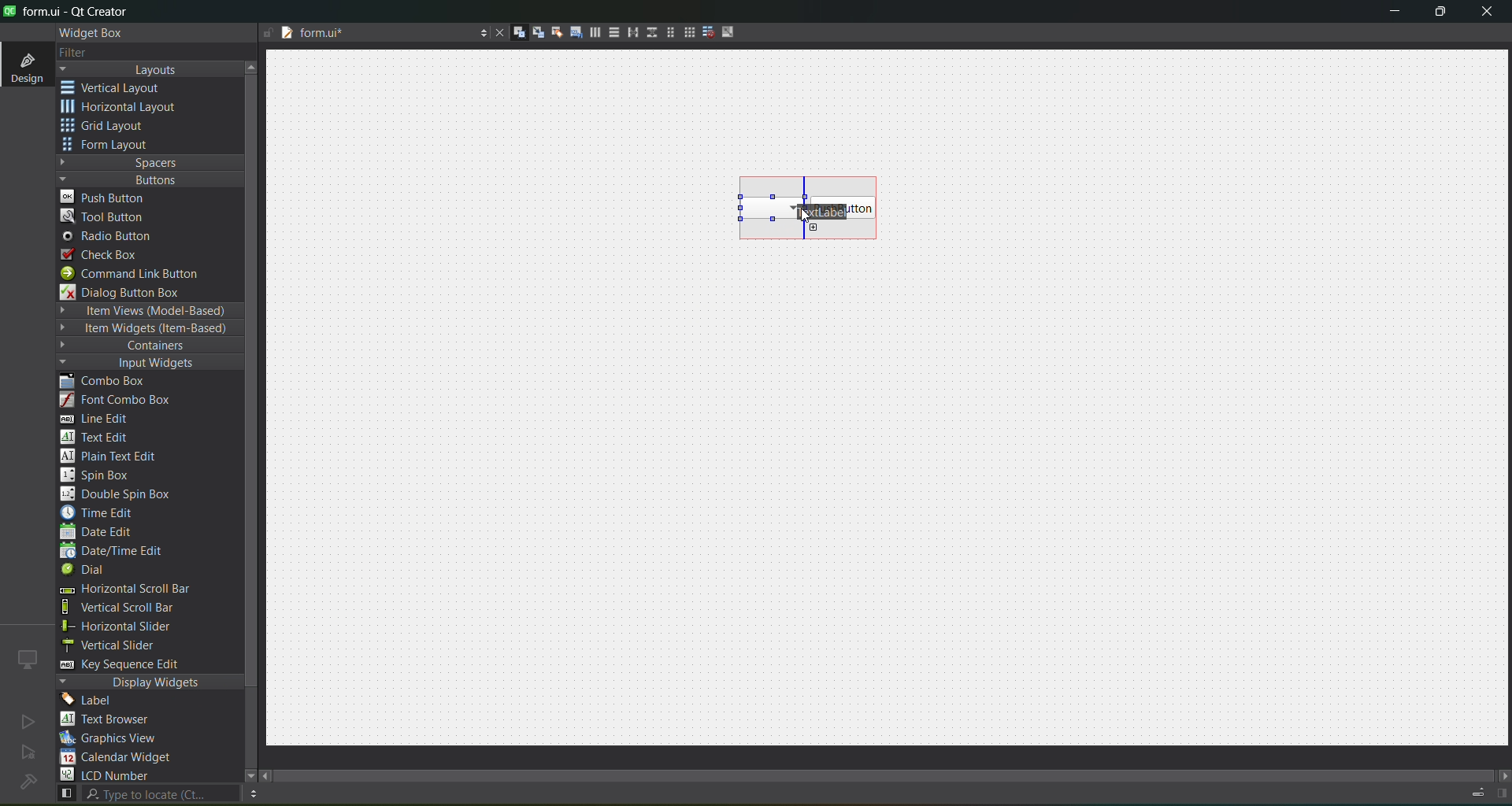  What do you see at coordinates (109, 775) in the screenshot?
I see `lcd number` at bounding box center [109, 775].